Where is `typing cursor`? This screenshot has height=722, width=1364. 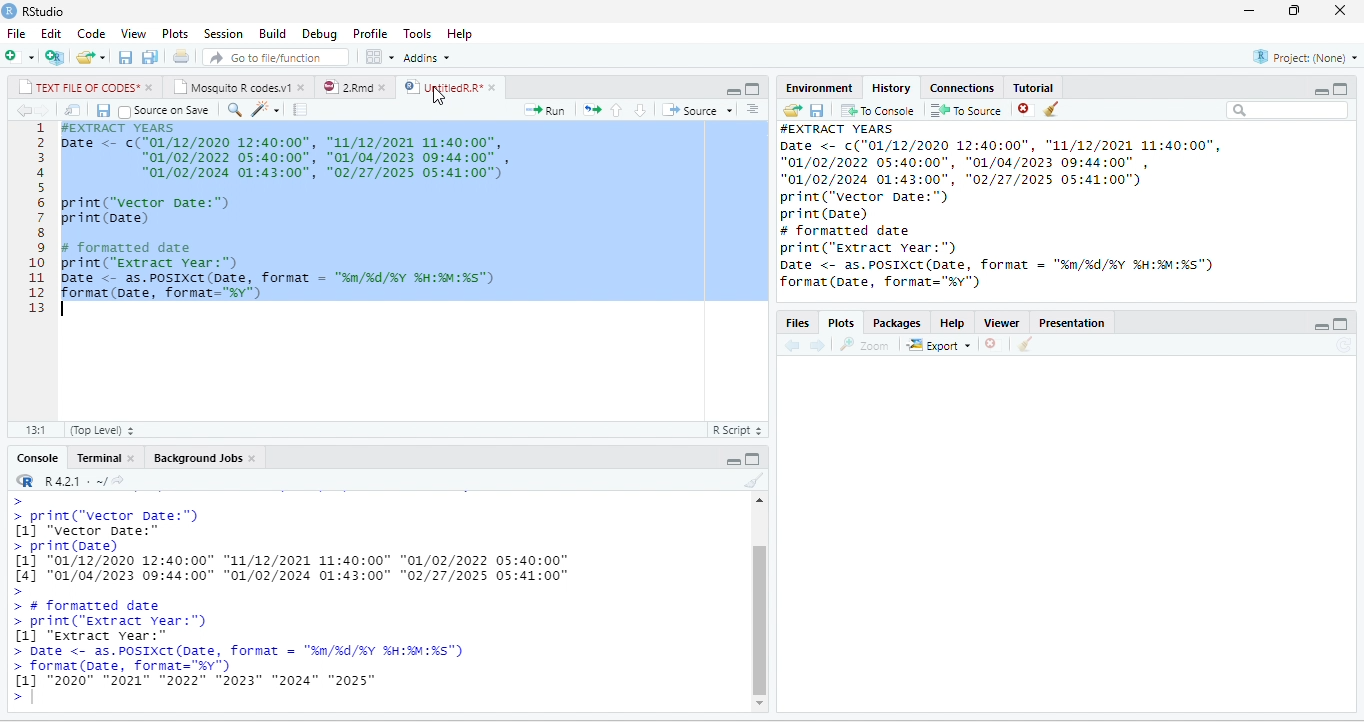 typing cursor is located at coordinates (66, 310).